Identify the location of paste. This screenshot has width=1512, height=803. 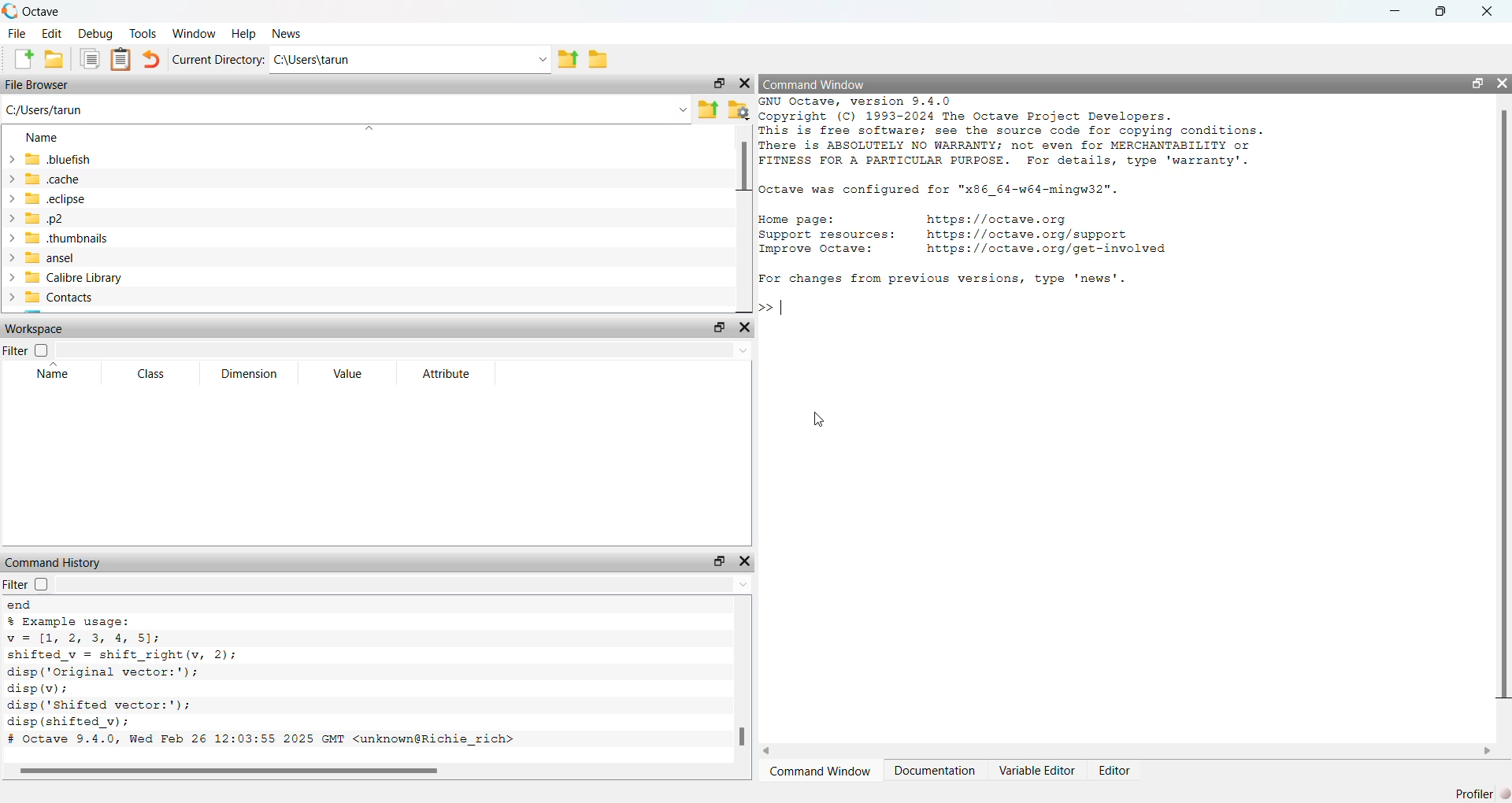
(118, 61).